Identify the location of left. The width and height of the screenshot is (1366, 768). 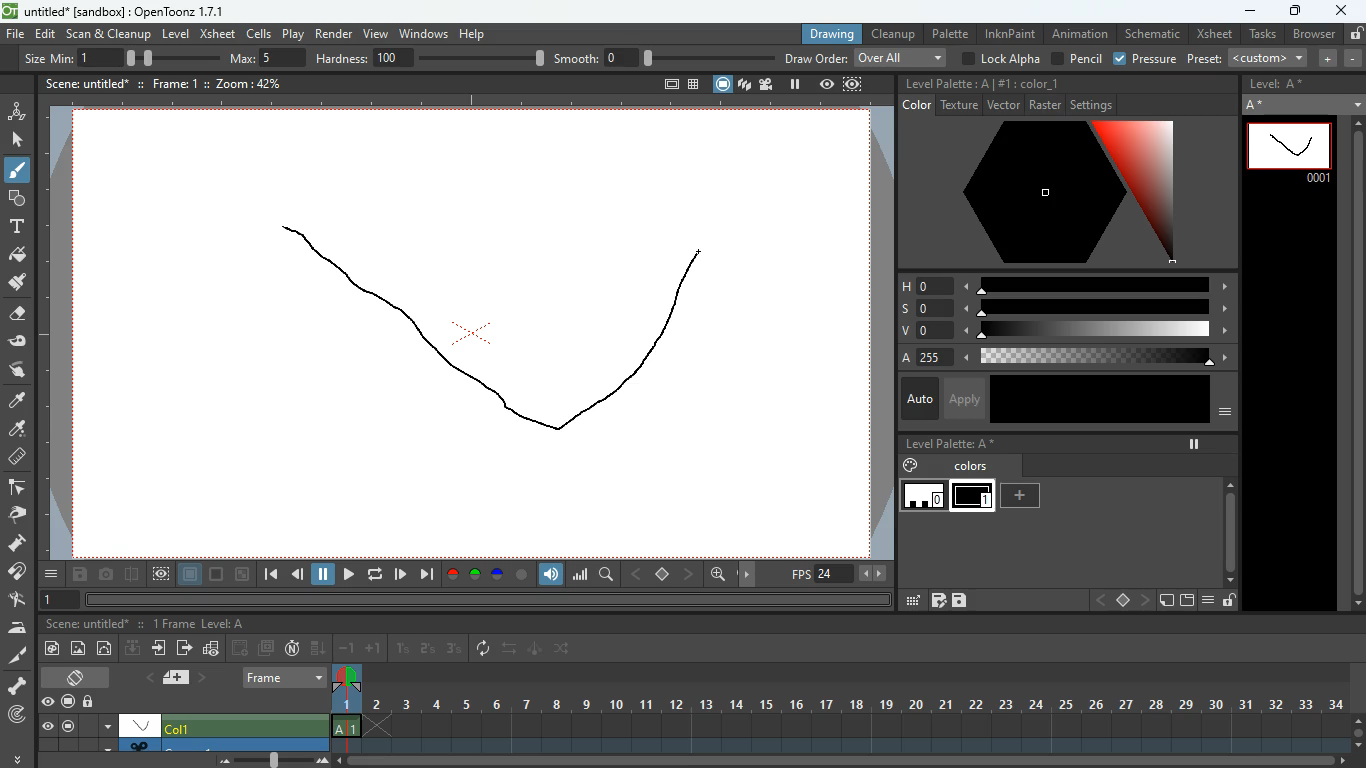
(634, 574).